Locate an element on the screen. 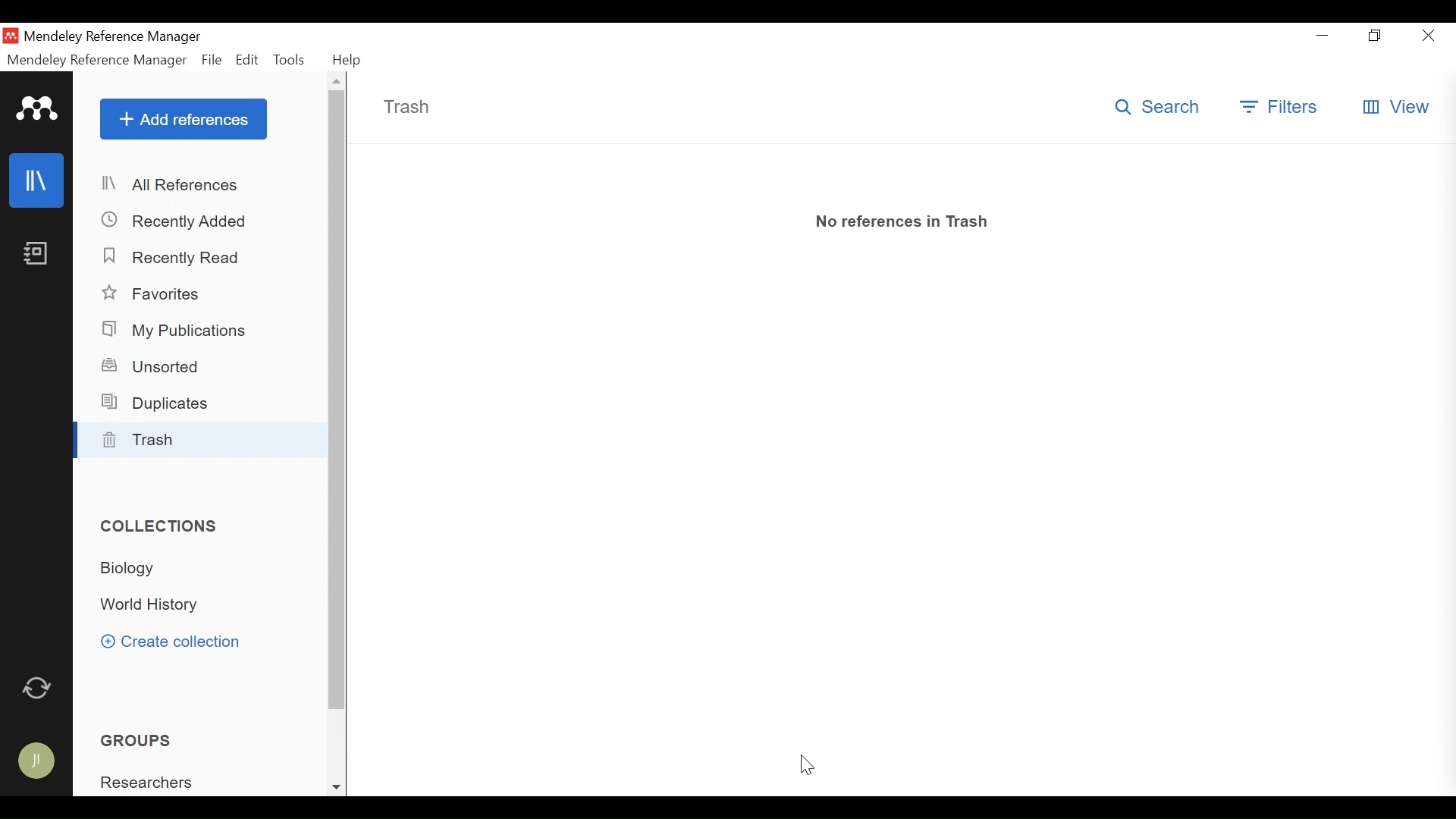  Collections is located at coordinates (162, 526).